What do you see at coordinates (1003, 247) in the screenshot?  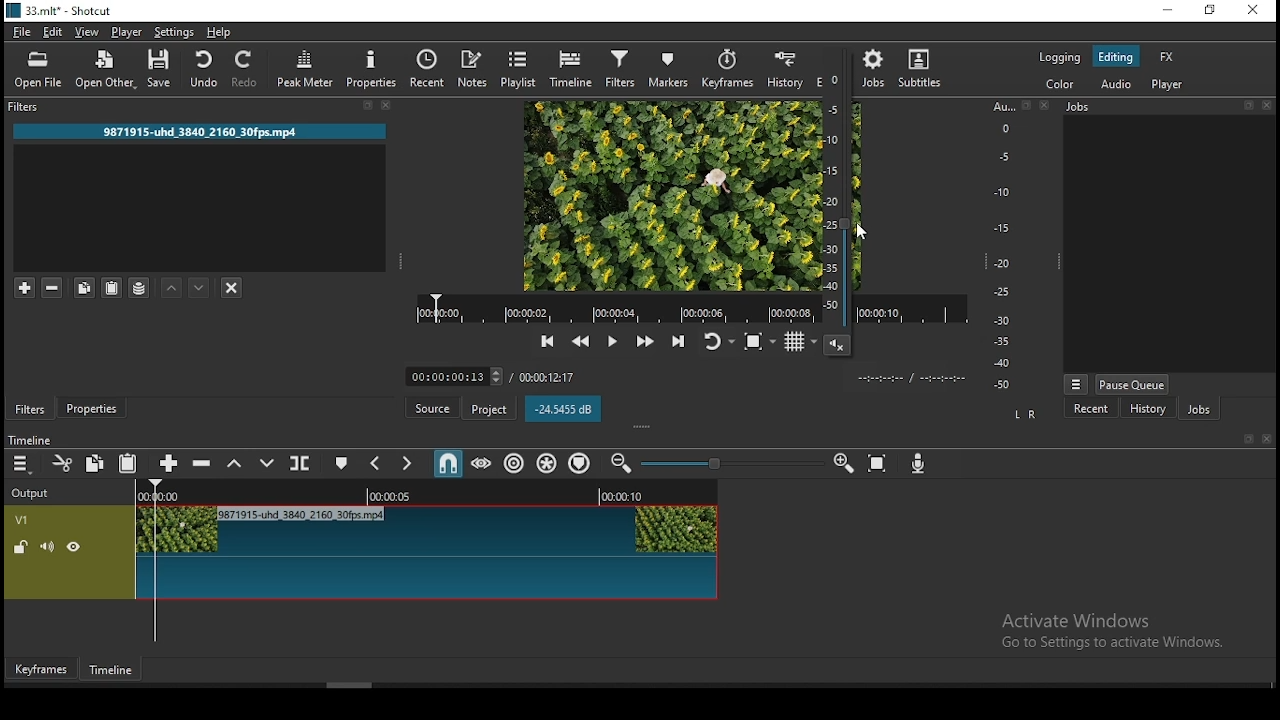 I see `scale` at bounding box center [1003, 247].